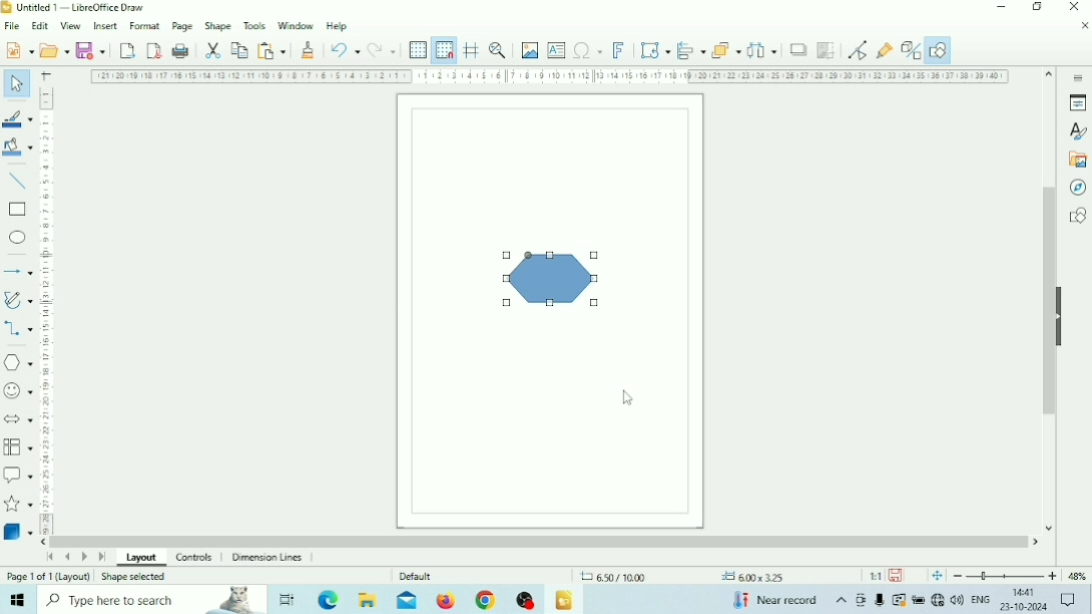 The height and width of the screenshot is (614, 1092). I want to click on Warning, so click(898, 600).